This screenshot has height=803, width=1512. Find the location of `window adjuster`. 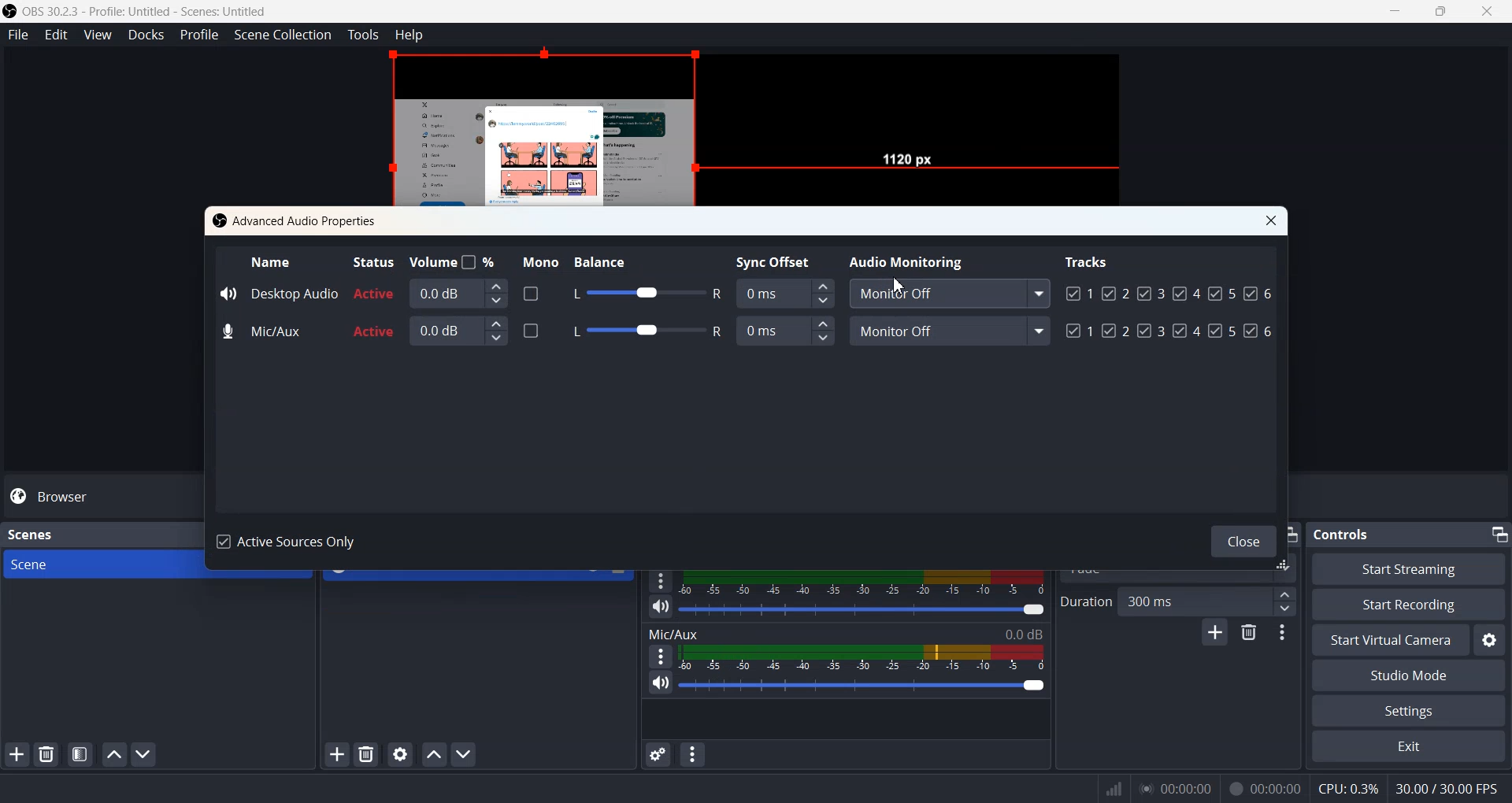

window adjuster is located at coordinates (1285, 567).